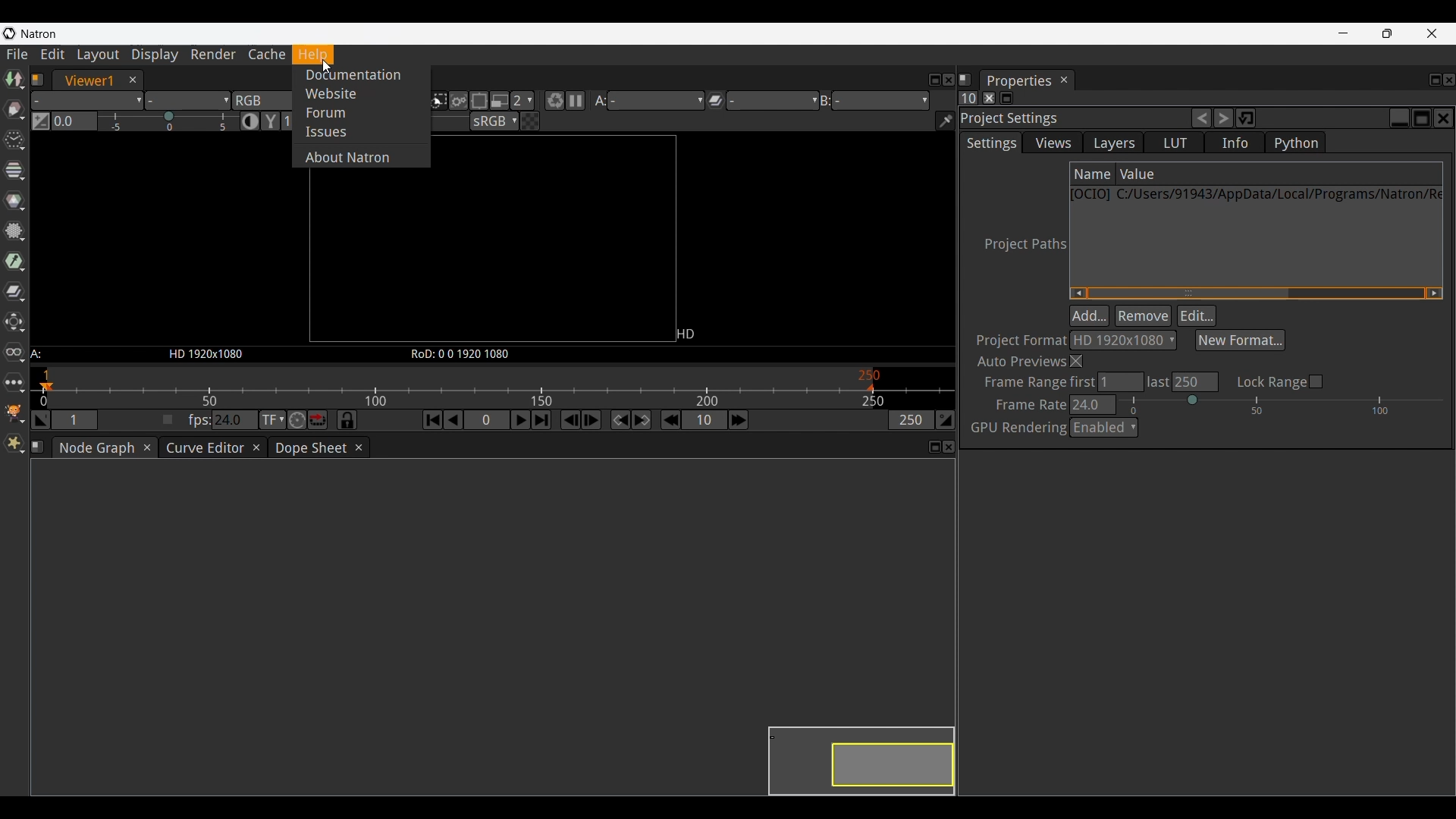 Image resolution: width=1456 pixels, height=819 pixels. I want to click on Close properties panel, so click(1064, 80).